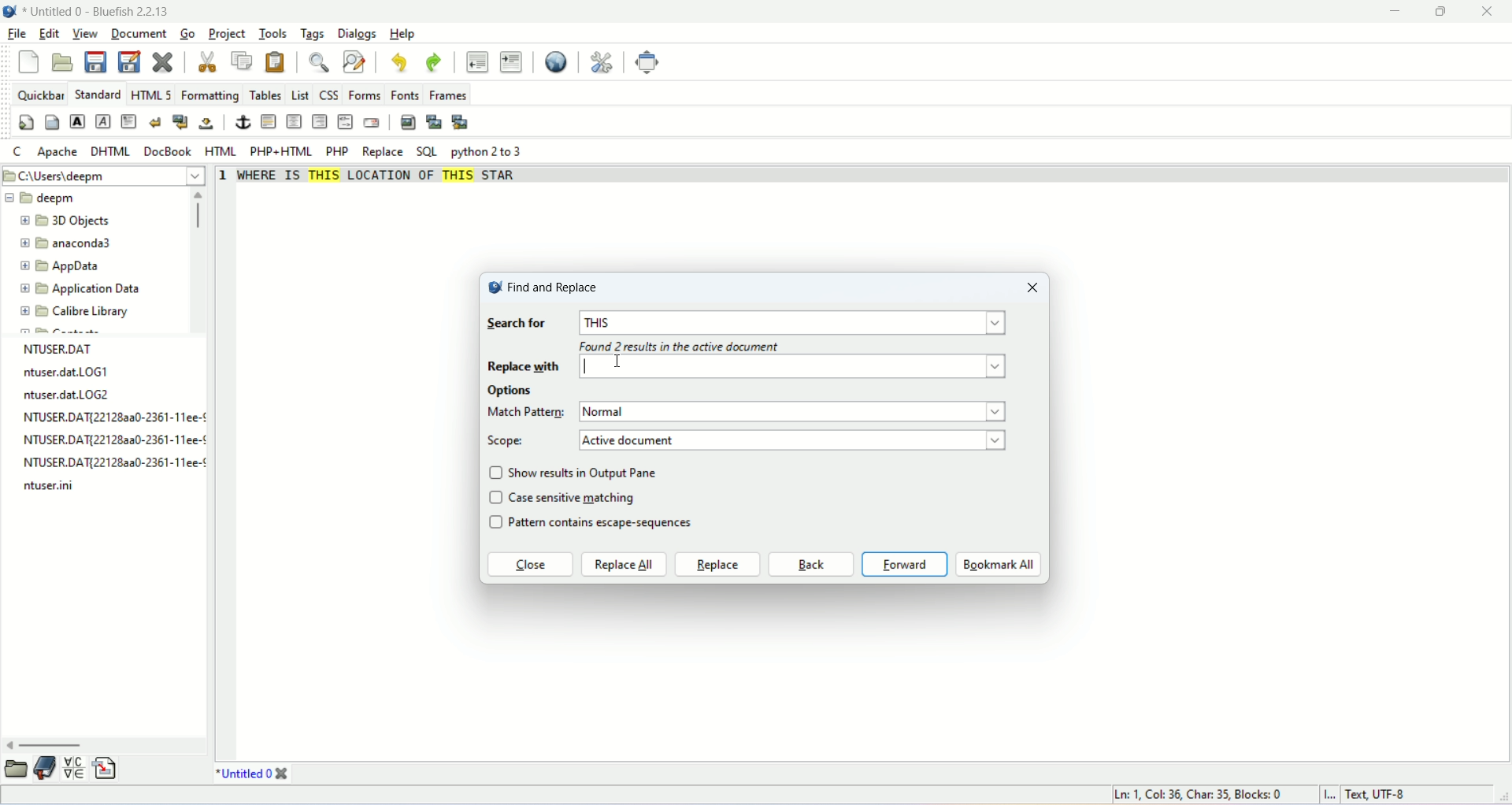 The image size is (1512, 805). Describe the element at coordinates (516, 325) in the screenshot. I see `search for` at that location.